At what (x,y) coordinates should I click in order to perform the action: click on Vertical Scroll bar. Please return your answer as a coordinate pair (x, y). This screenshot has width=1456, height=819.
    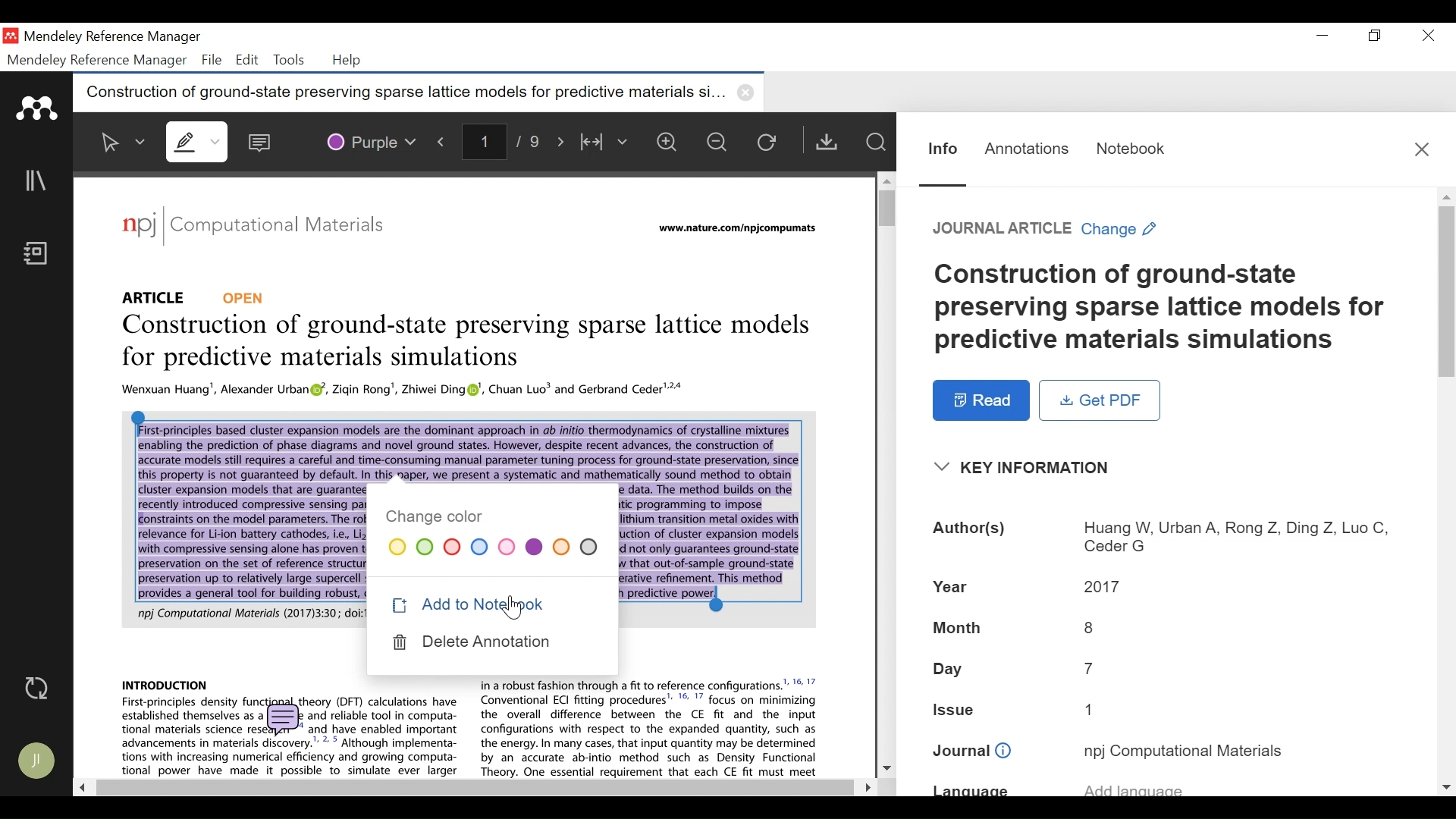
    Looking at the image, I should click on (882, 207).